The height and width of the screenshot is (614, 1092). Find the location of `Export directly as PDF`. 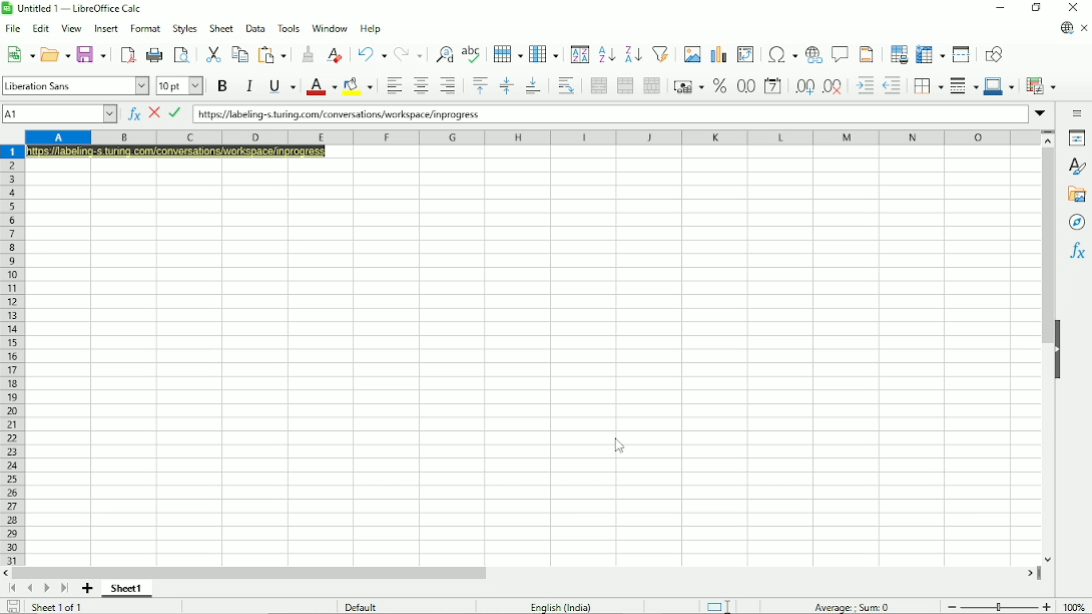

Export directly as PDF is located at coordinates (126, 53).